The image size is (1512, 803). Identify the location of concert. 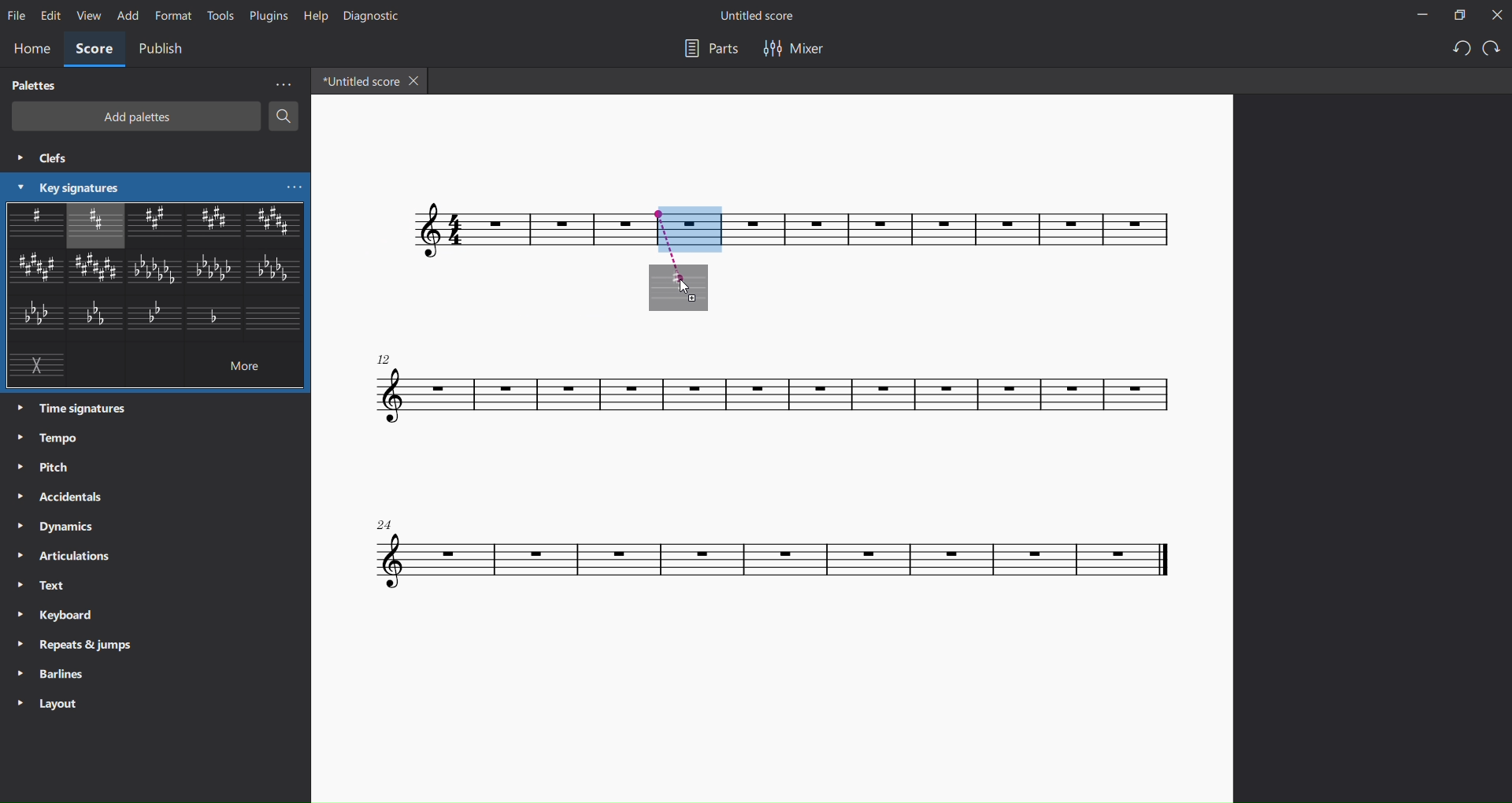
(773, 561).